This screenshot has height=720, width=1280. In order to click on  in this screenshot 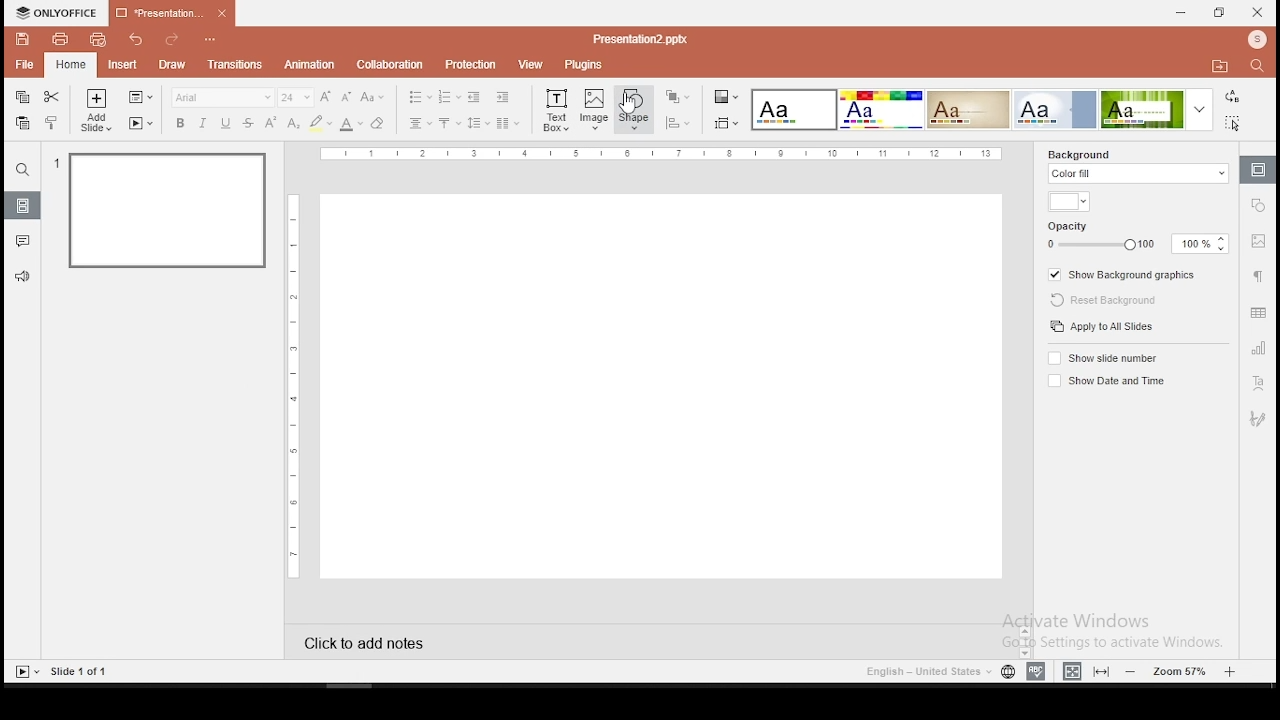, I will do `click(23, 169)`.